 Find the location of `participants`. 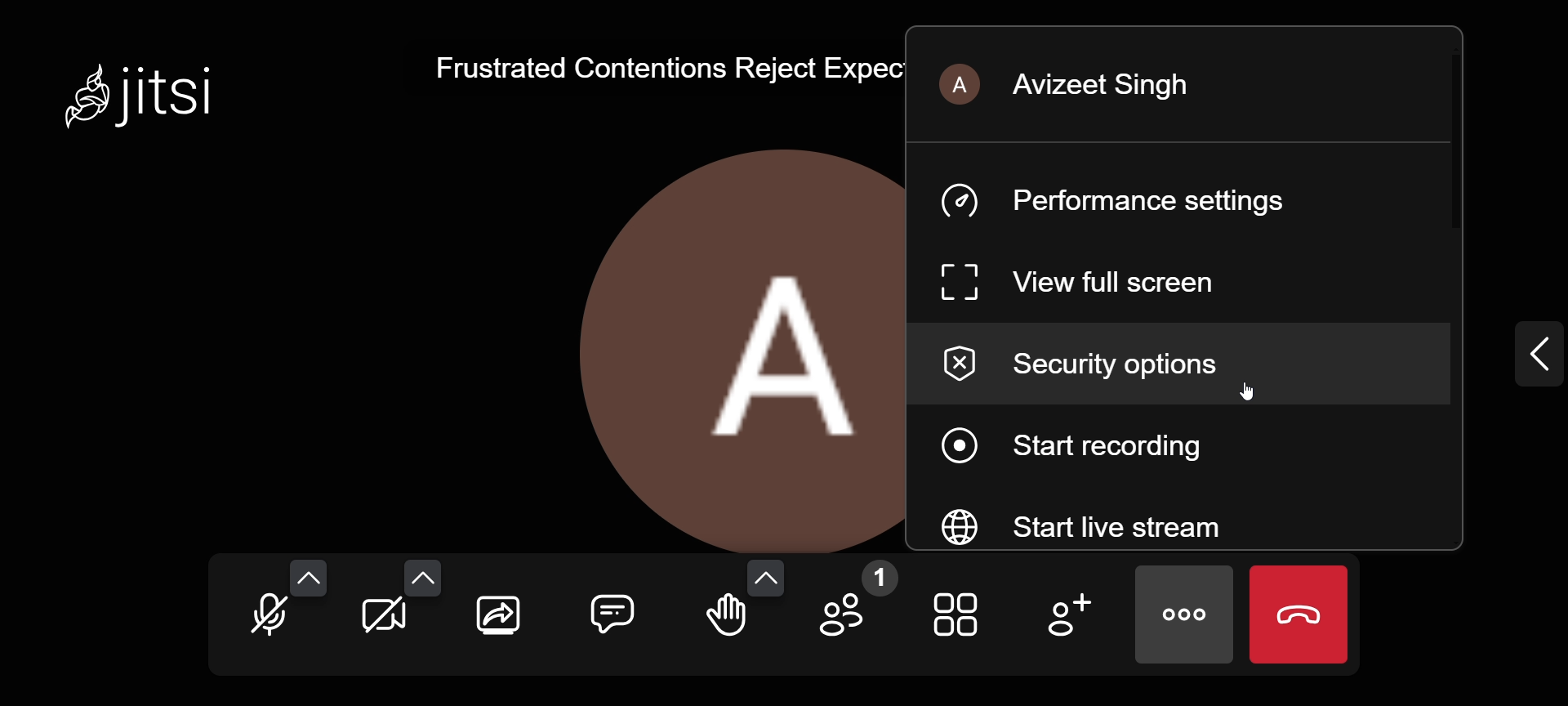

participants is located at coordinates (853, 607).